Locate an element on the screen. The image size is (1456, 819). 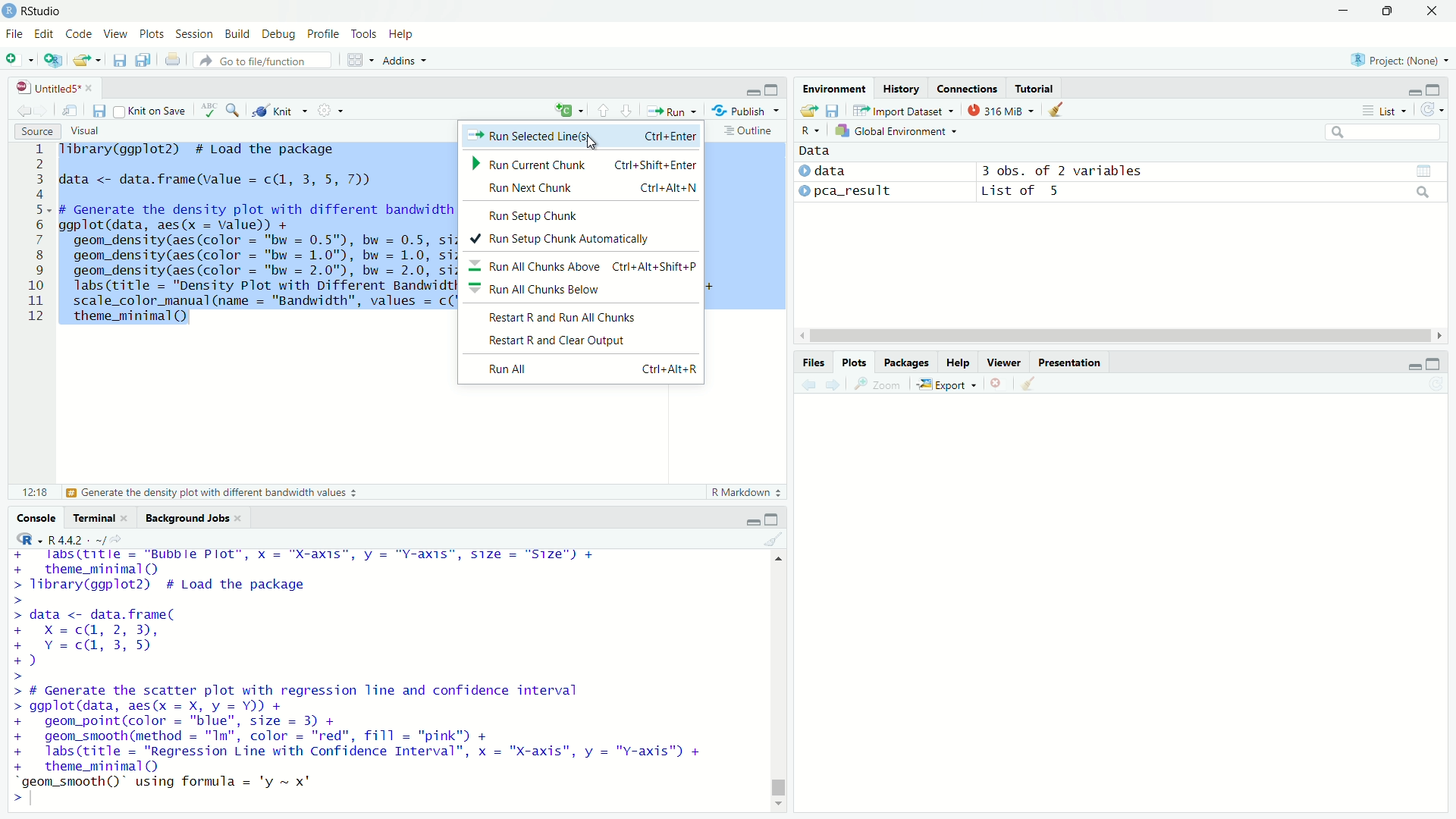
Restart R and Run All Chunks is located at coordinates (581, 317).